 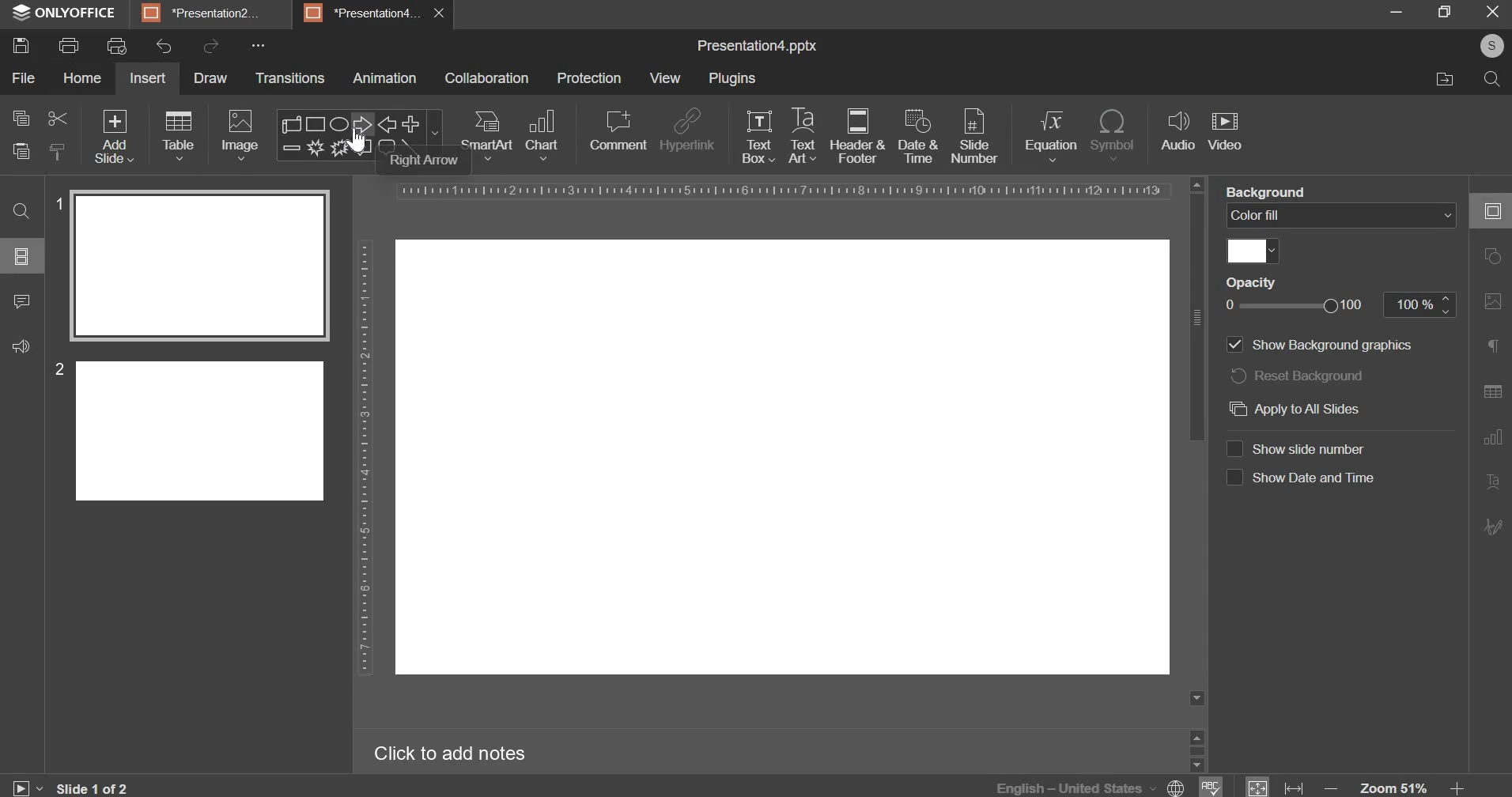 I want to click on CO Show Date and, so click(x=1318, y=451).